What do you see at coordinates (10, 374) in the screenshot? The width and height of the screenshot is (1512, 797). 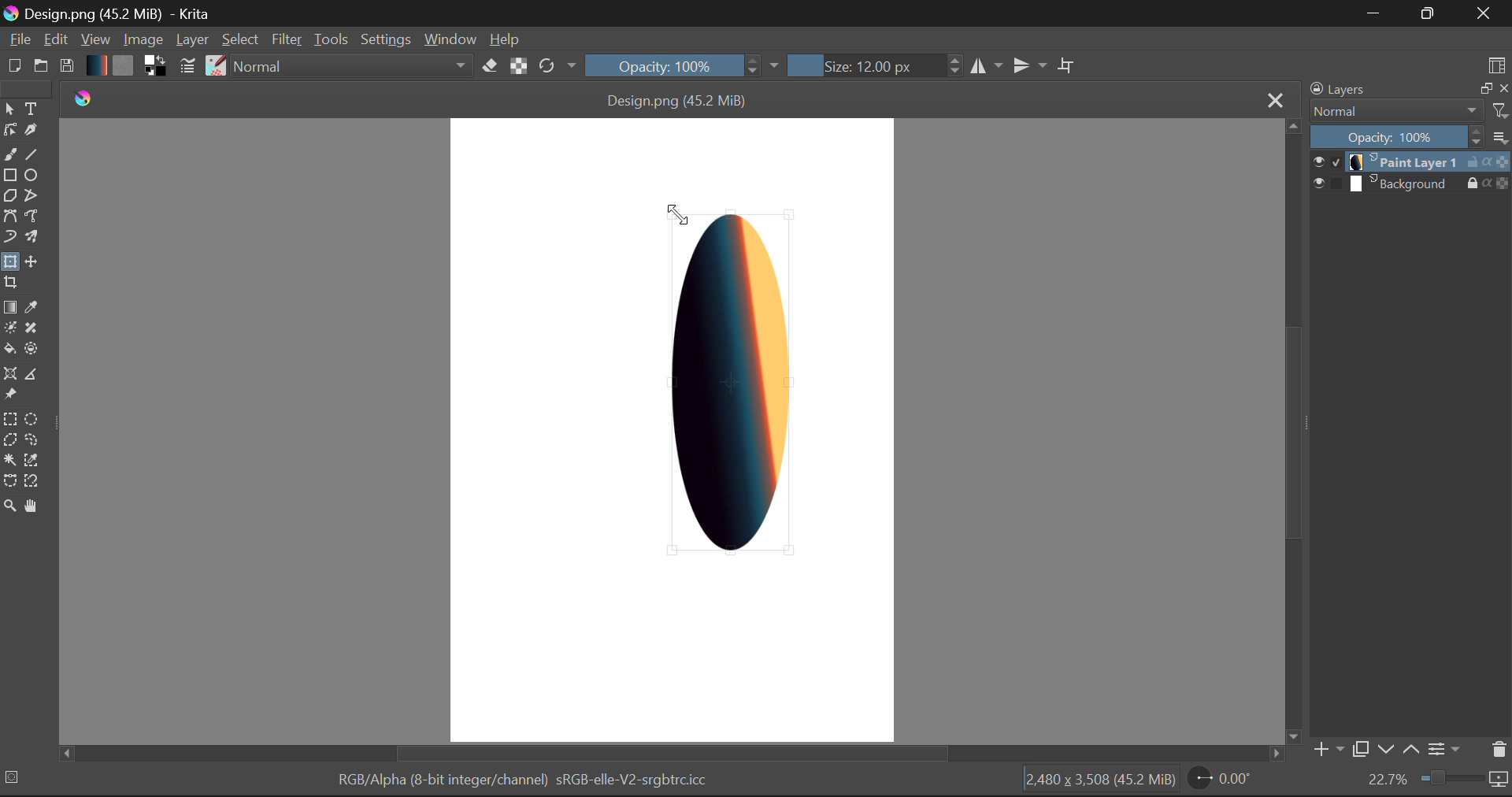 I see `Assistant Tool` at bounding box center [10, 374].